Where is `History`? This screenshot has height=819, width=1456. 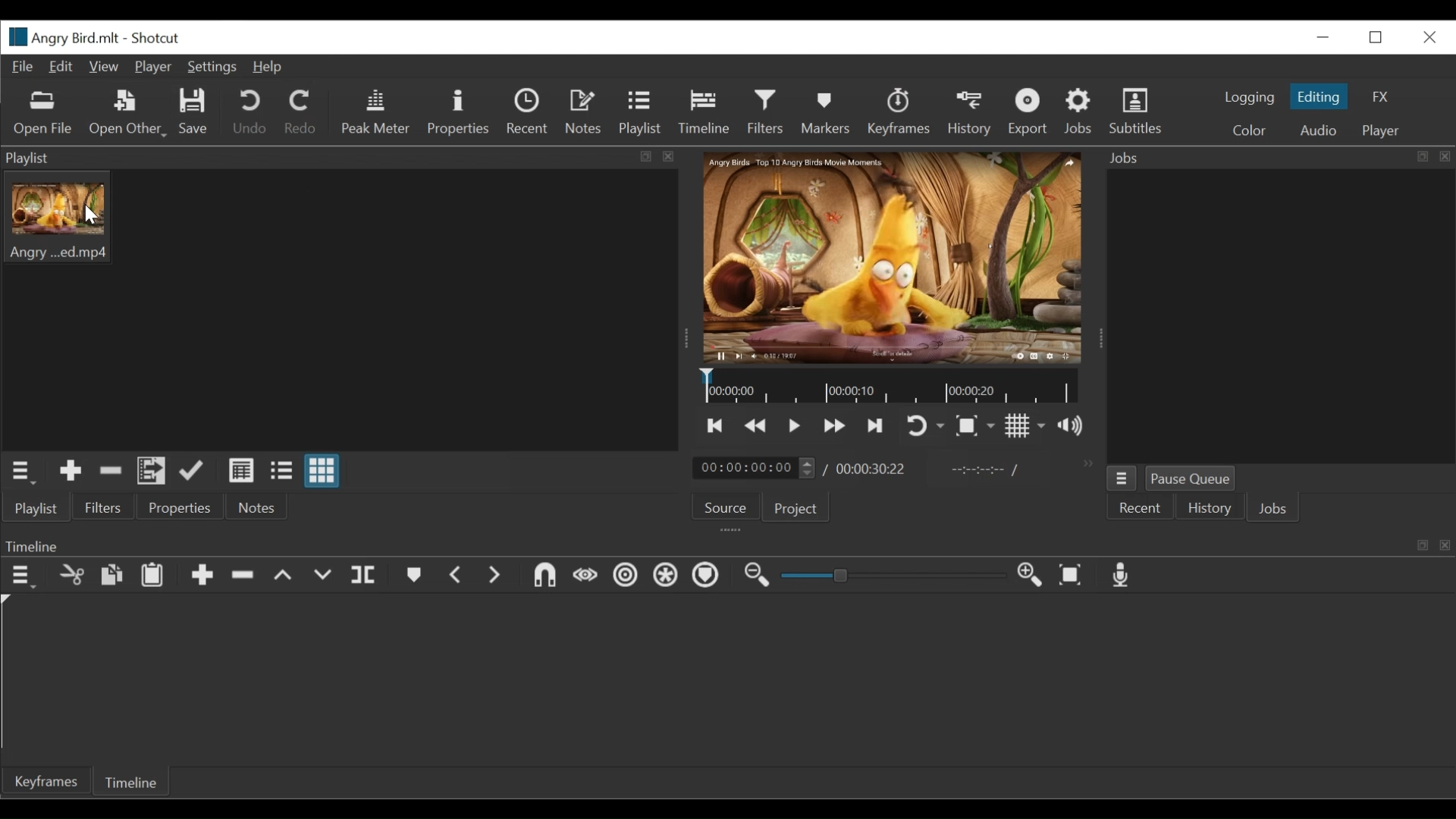
History is located at coordinates (968, 113).